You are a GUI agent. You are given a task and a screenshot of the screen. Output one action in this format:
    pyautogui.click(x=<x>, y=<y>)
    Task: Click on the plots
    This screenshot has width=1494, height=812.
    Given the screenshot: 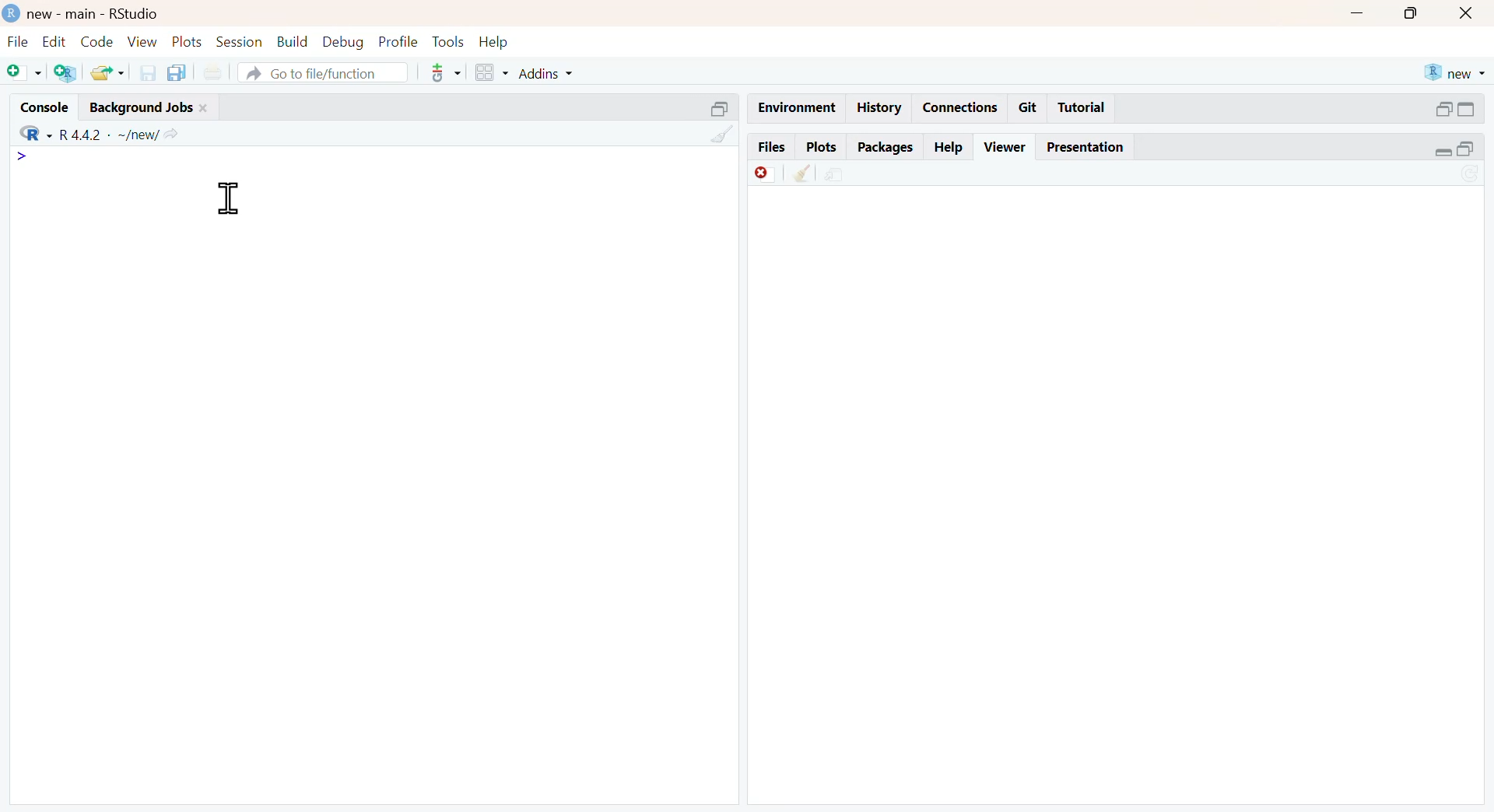 What is the action you would take?
    pyautogui.click(x=821, y=147)
    